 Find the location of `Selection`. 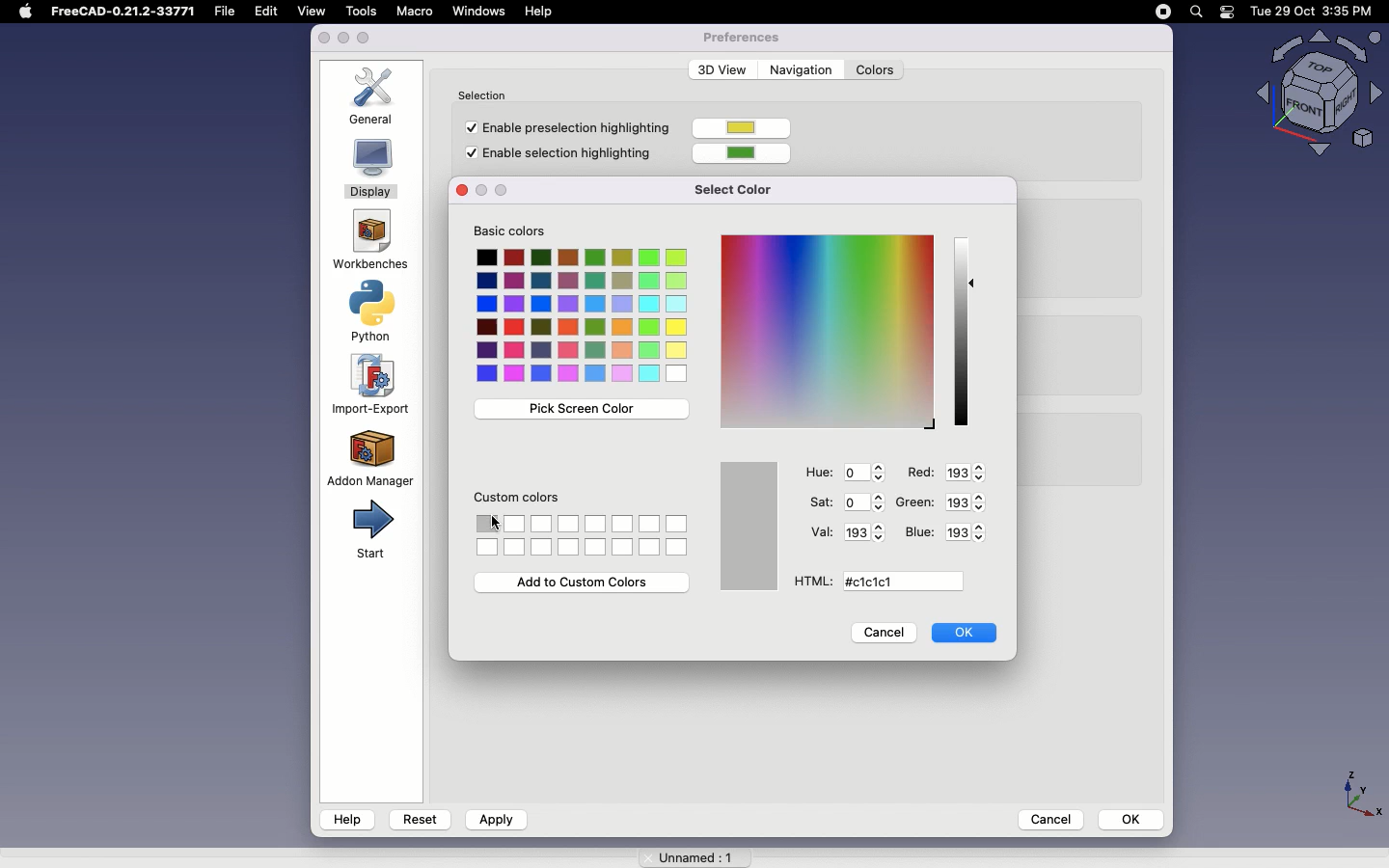

Selection is located at coordinates (487, 93).